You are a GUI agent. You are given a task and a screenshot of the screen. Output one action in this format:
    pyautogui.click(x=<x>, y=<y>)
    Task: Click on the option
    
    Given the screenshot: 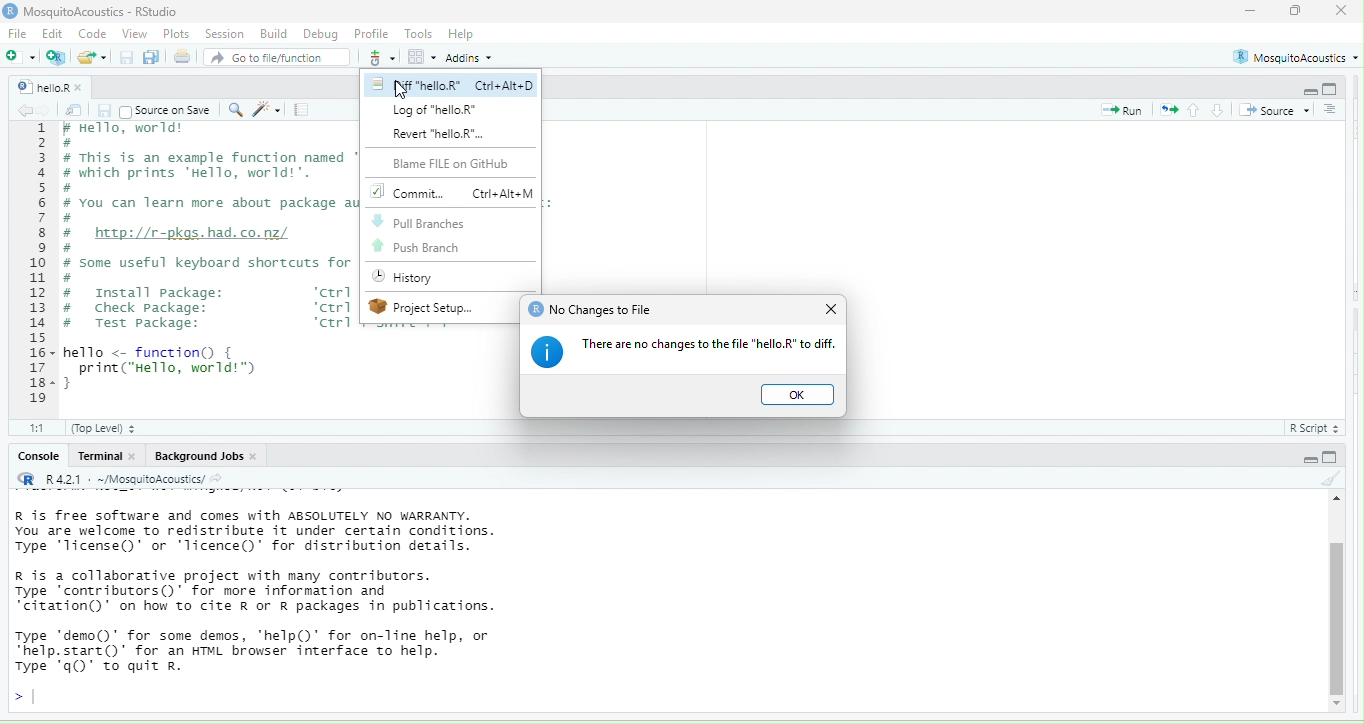 What is the action you would take?
    pyautogui.click(x=421, y=56)
    